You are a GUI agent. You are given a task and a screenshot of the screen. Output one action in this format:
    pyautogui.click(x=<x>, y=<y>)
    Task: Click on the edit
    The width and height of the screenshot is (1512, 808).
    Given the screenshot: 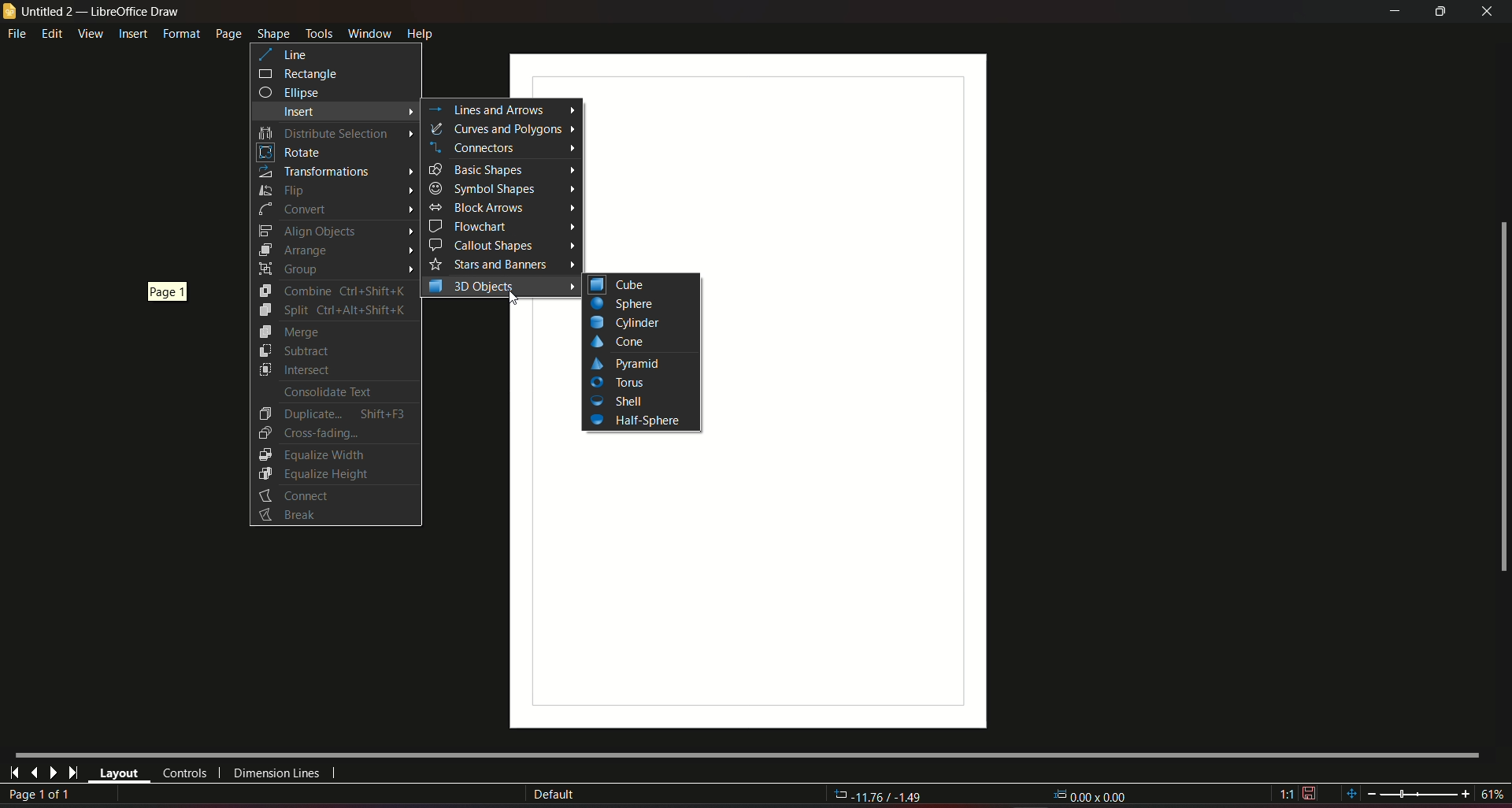 What is the action you would take?
    pyautogui.click(x=53, y=33)
    